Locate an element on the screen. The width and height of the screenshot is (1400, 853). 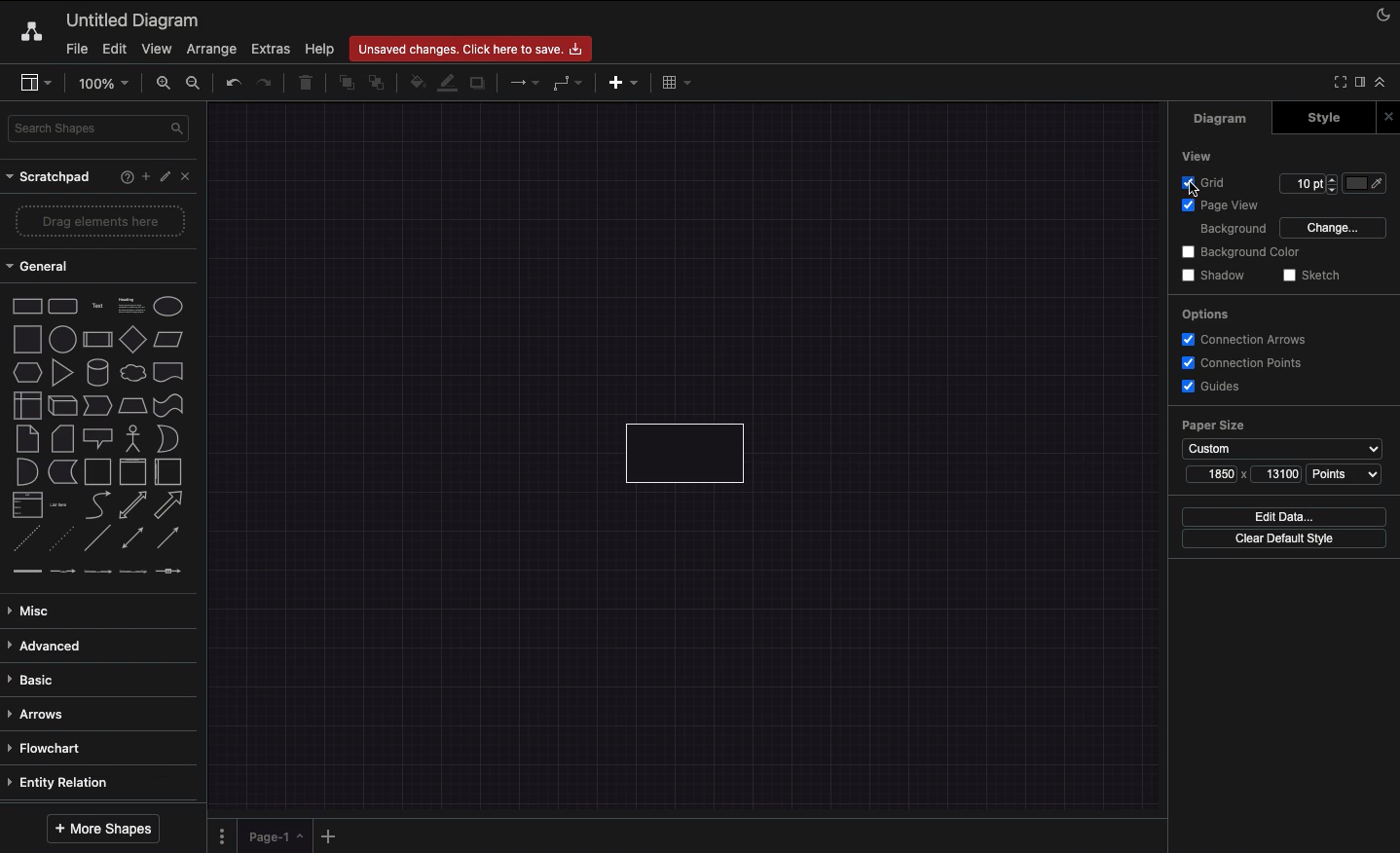
Flowchart is located at coordinates (57, 750).